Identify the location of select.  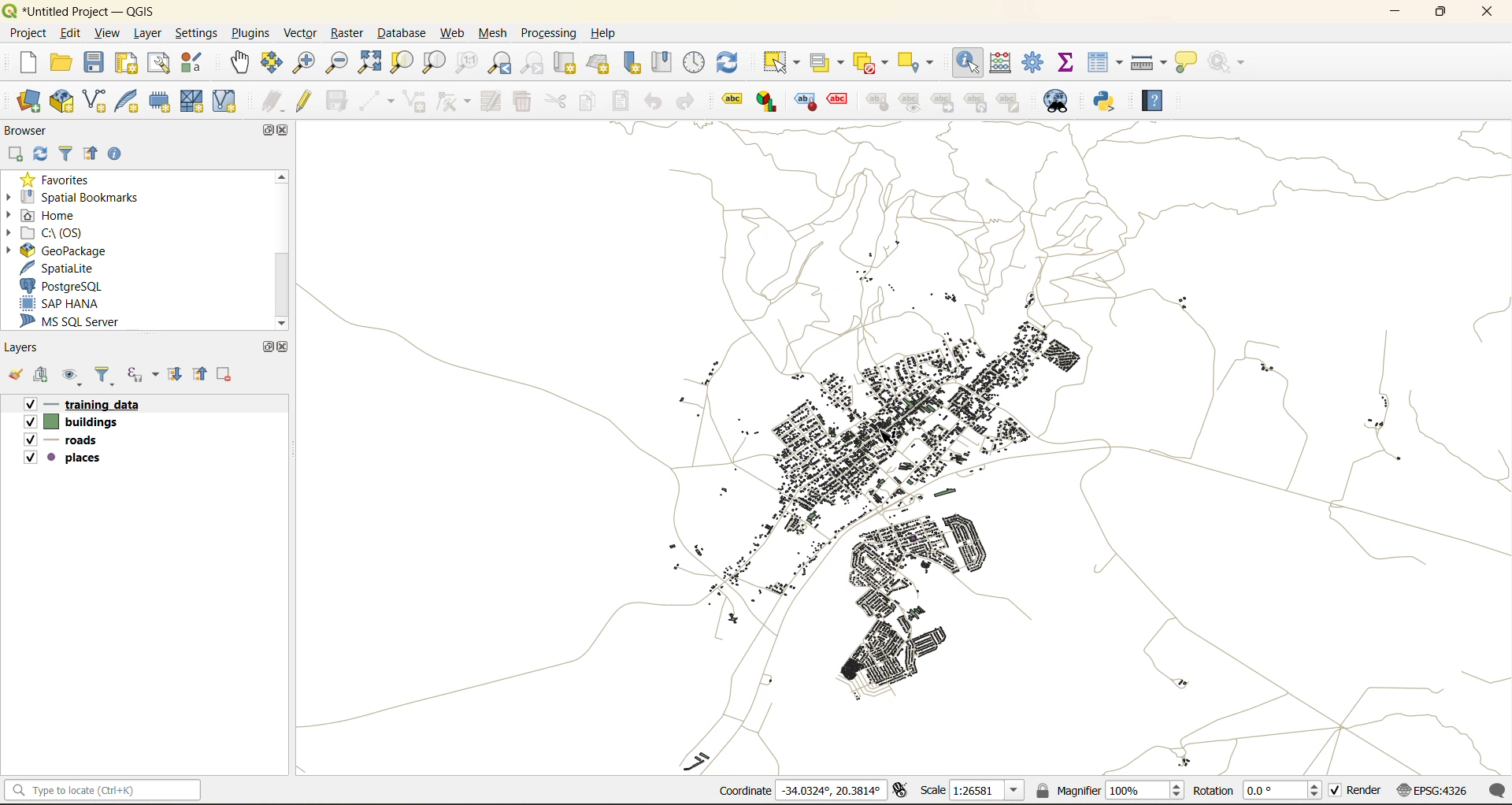
(784, 64).